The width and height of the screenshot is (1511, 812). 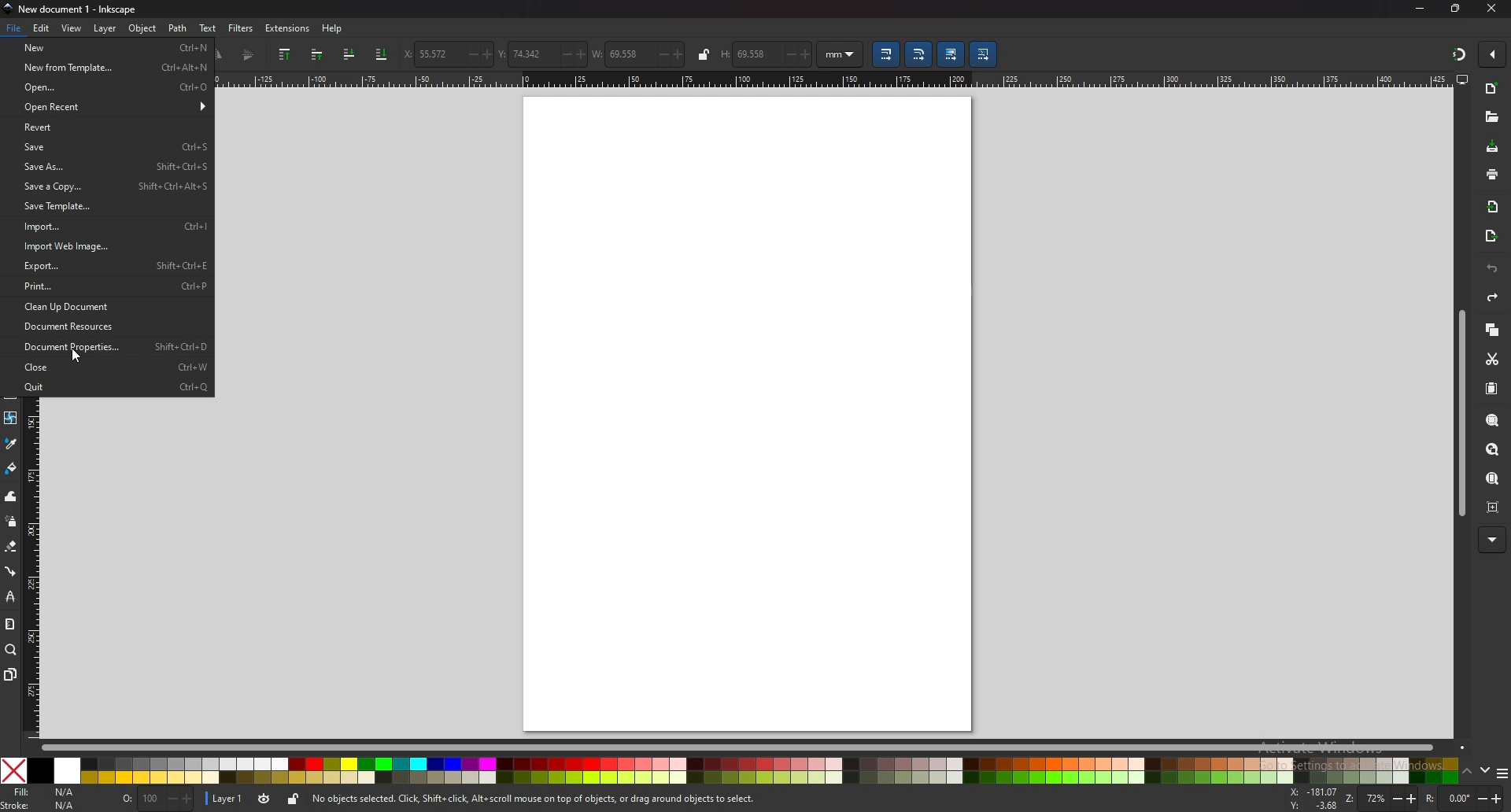 What do you see at coordinates (319, 55) in the screenshot?
I see `raise selection one step` at bounding box center [319, 55].